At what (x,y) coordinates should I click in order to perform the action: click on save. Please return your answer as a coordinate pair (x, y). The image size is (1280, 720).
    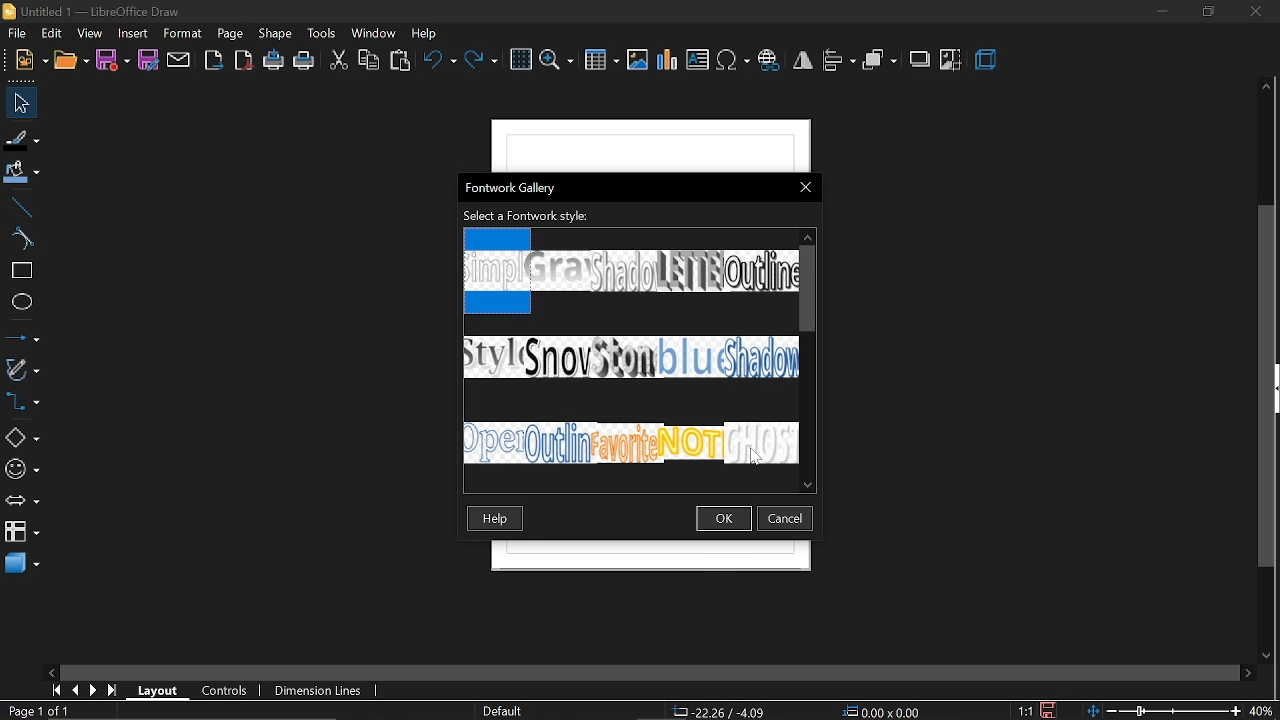
    Looking at the image, I should click on (113, 62).